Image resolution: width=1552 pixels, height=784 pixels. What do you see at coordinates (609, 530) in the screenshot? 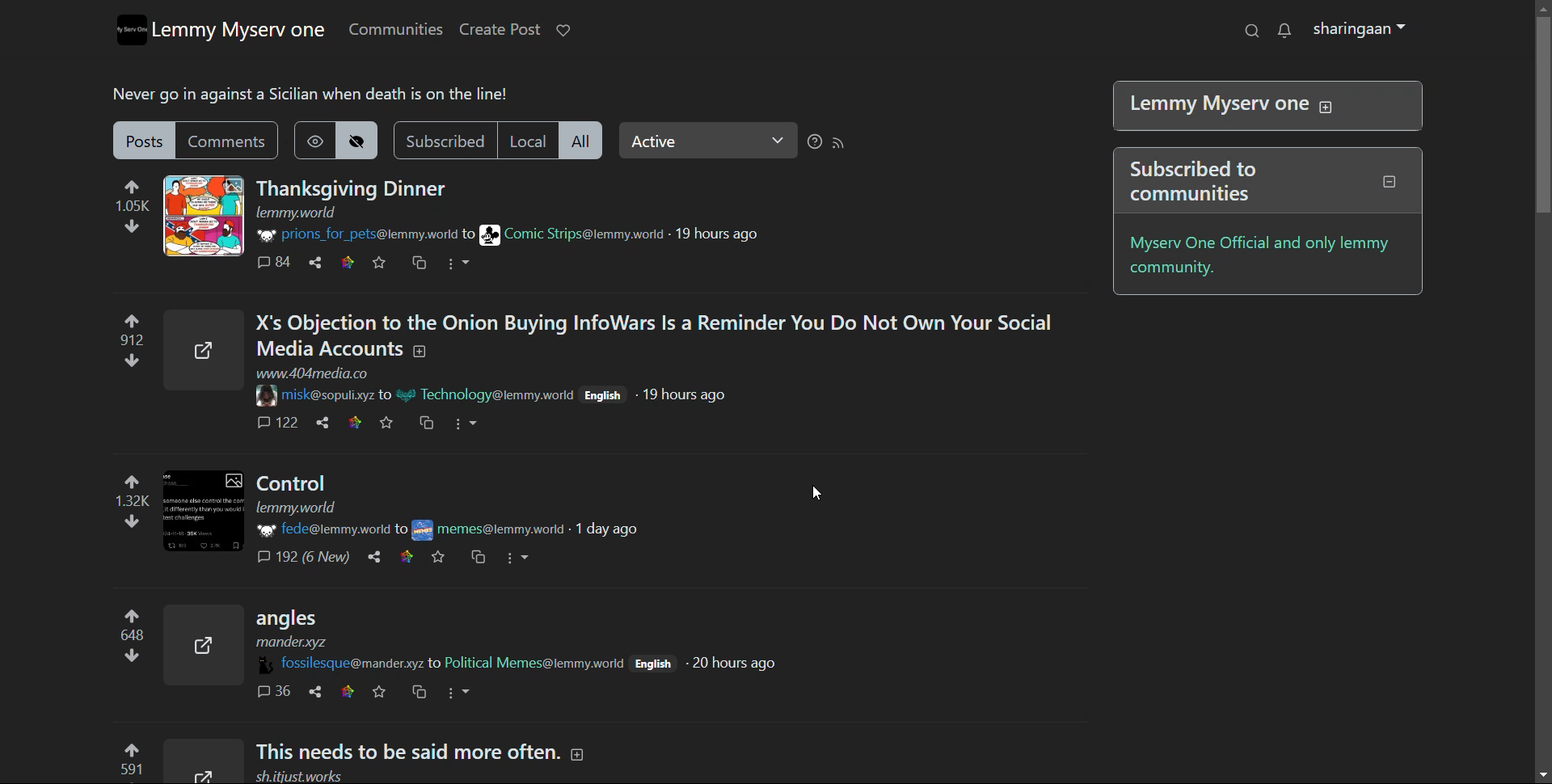
I see `1 day ago (post time)` at bounding box center [609, 530].